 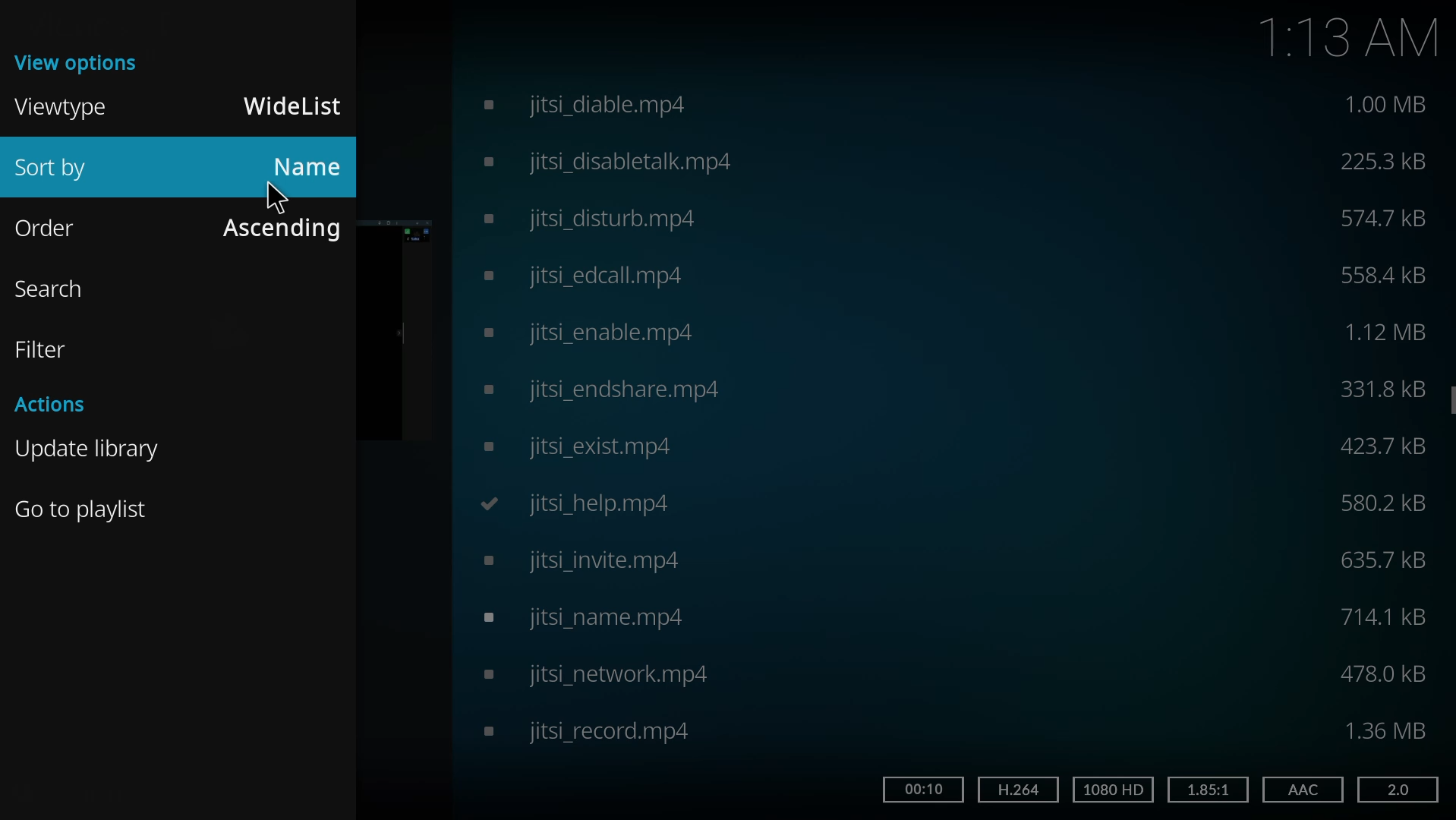 What do you see at coordinates (1015, 790) in the screenshot?
I see `h` at bounding box center [1015, 790].